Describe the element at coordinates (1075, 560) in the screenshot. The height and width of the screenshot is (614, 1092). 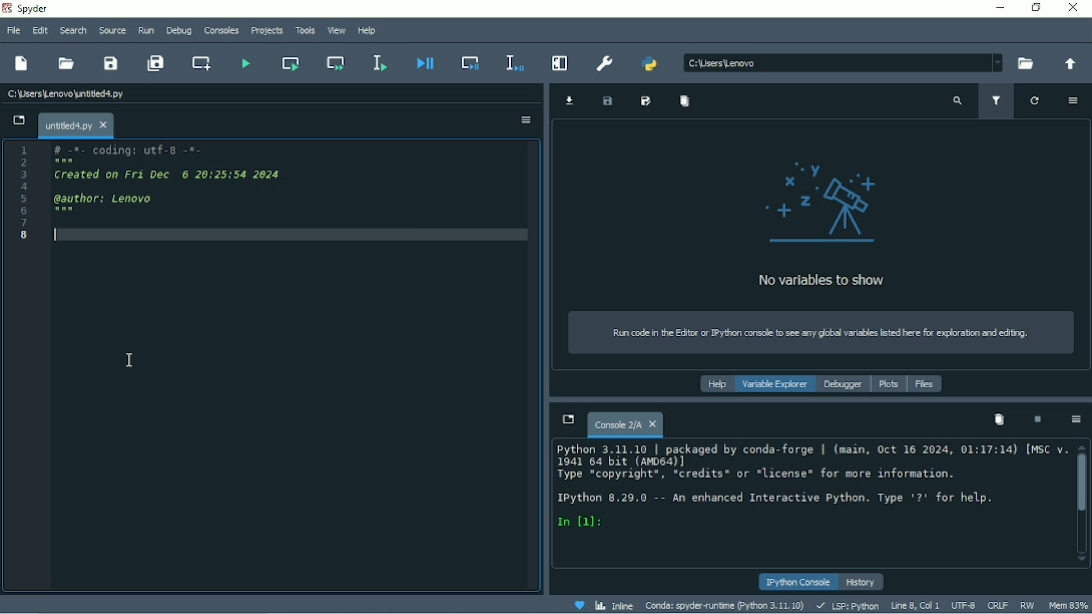
I see `scroll down` at that location.